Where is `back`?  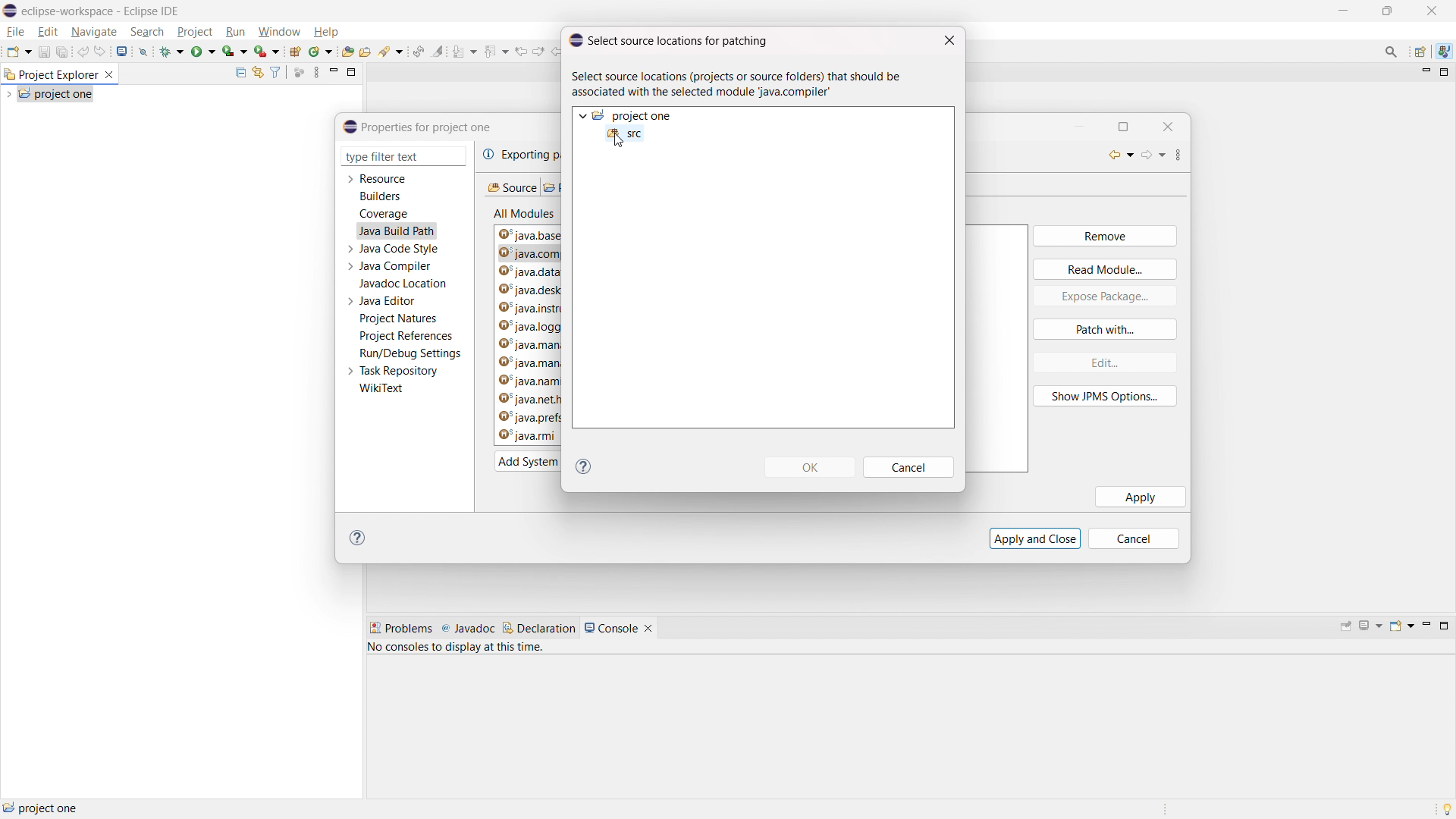 back is located at coordinates (1116, 155).